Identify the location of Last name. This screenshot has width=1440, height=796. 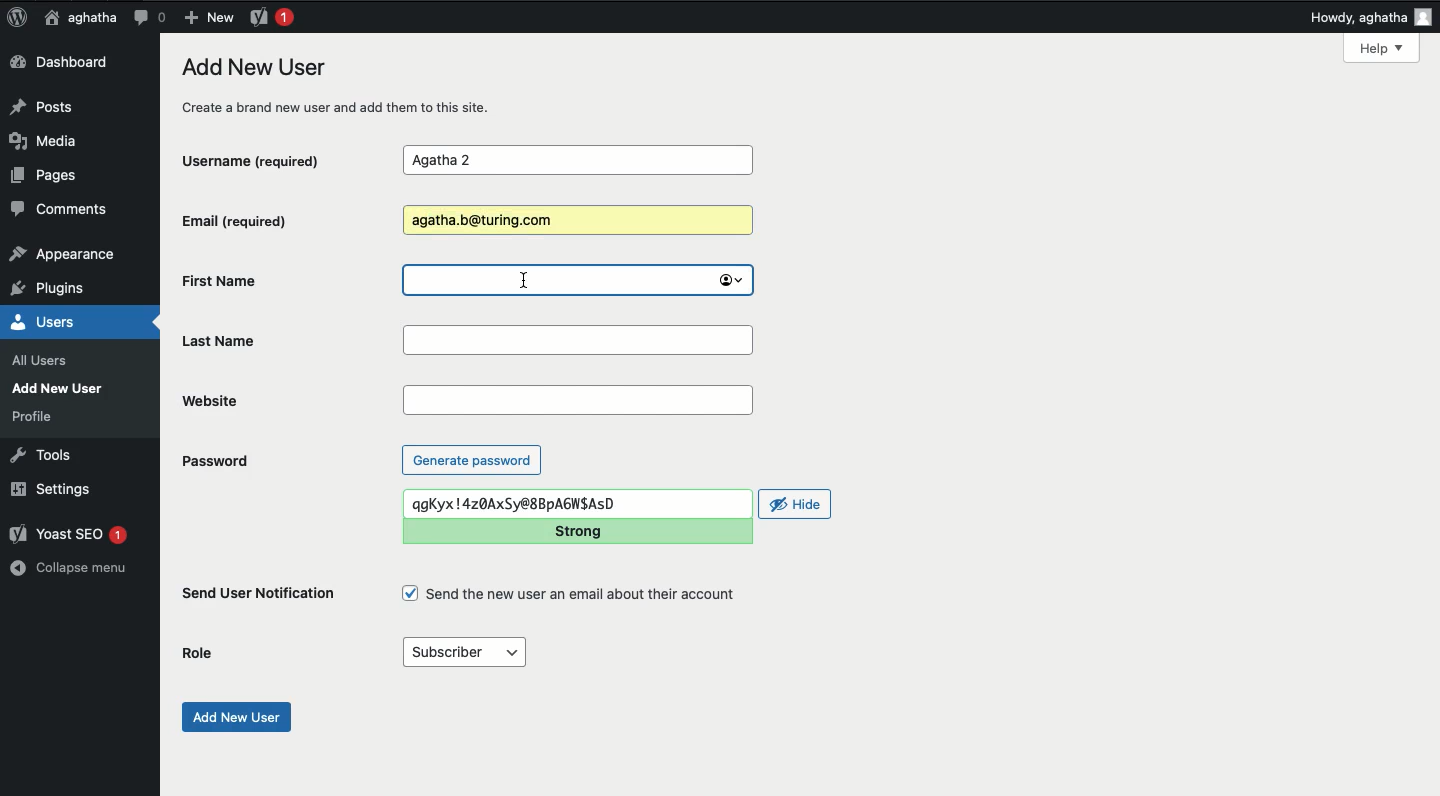
(286, 340).